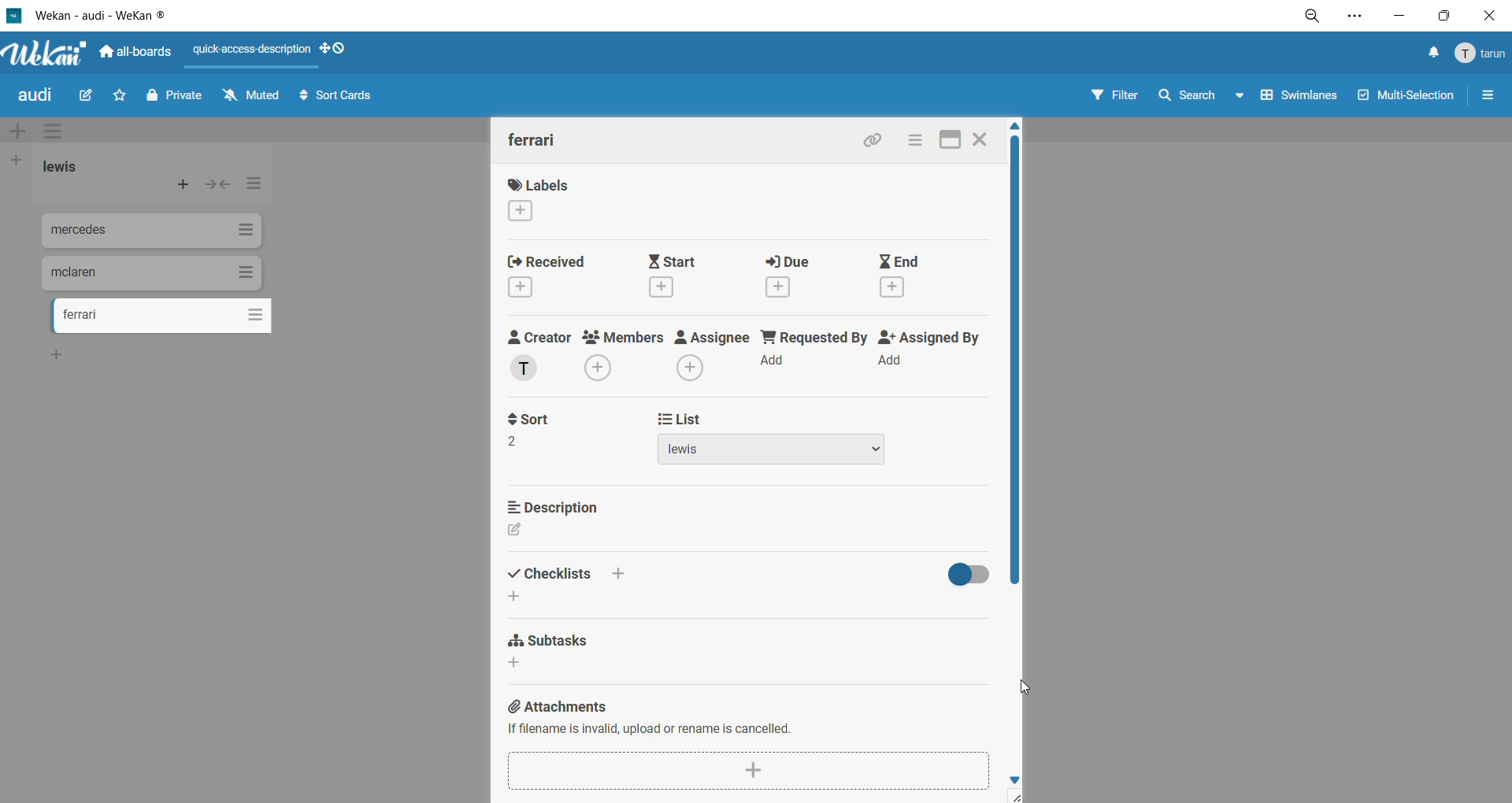  Describe the element at coordinates (1016, 364) in the screenshot. I see `vertical scroll bar` at that location.